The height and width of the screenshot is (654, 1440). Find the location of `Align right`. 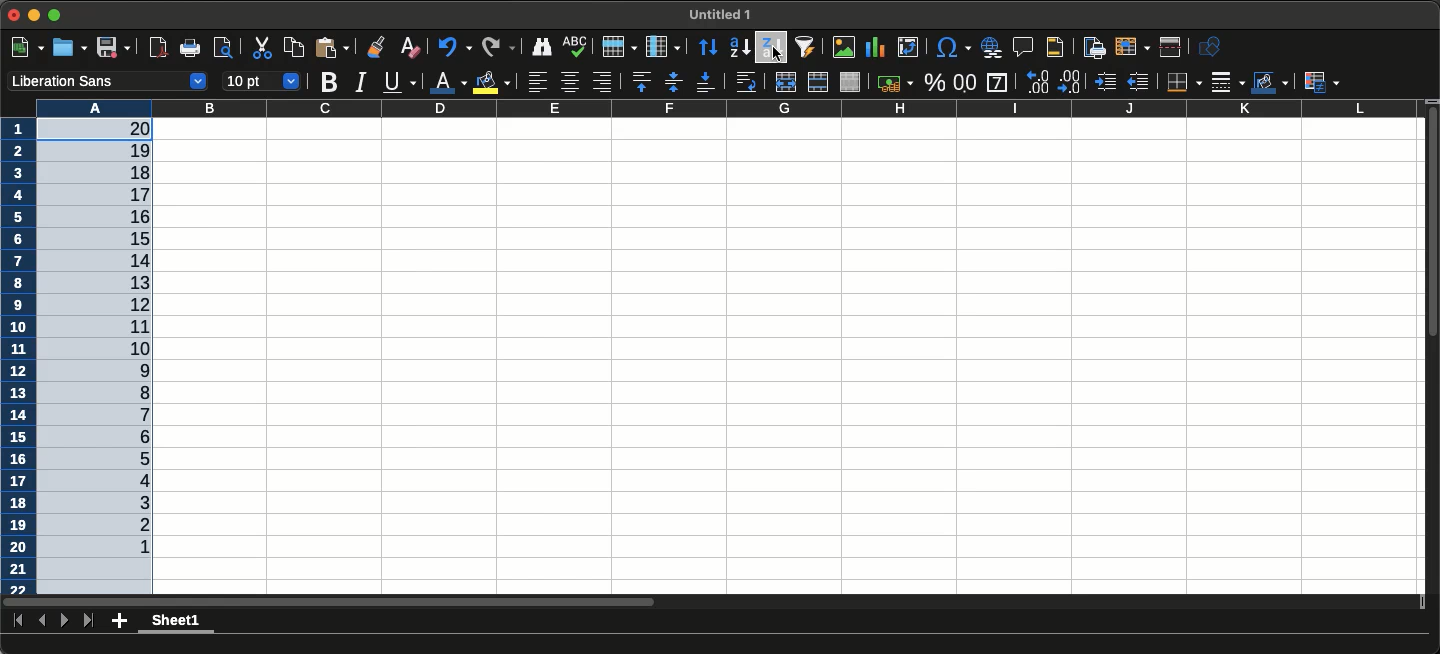

Align right is located at coordinates (602, 83).